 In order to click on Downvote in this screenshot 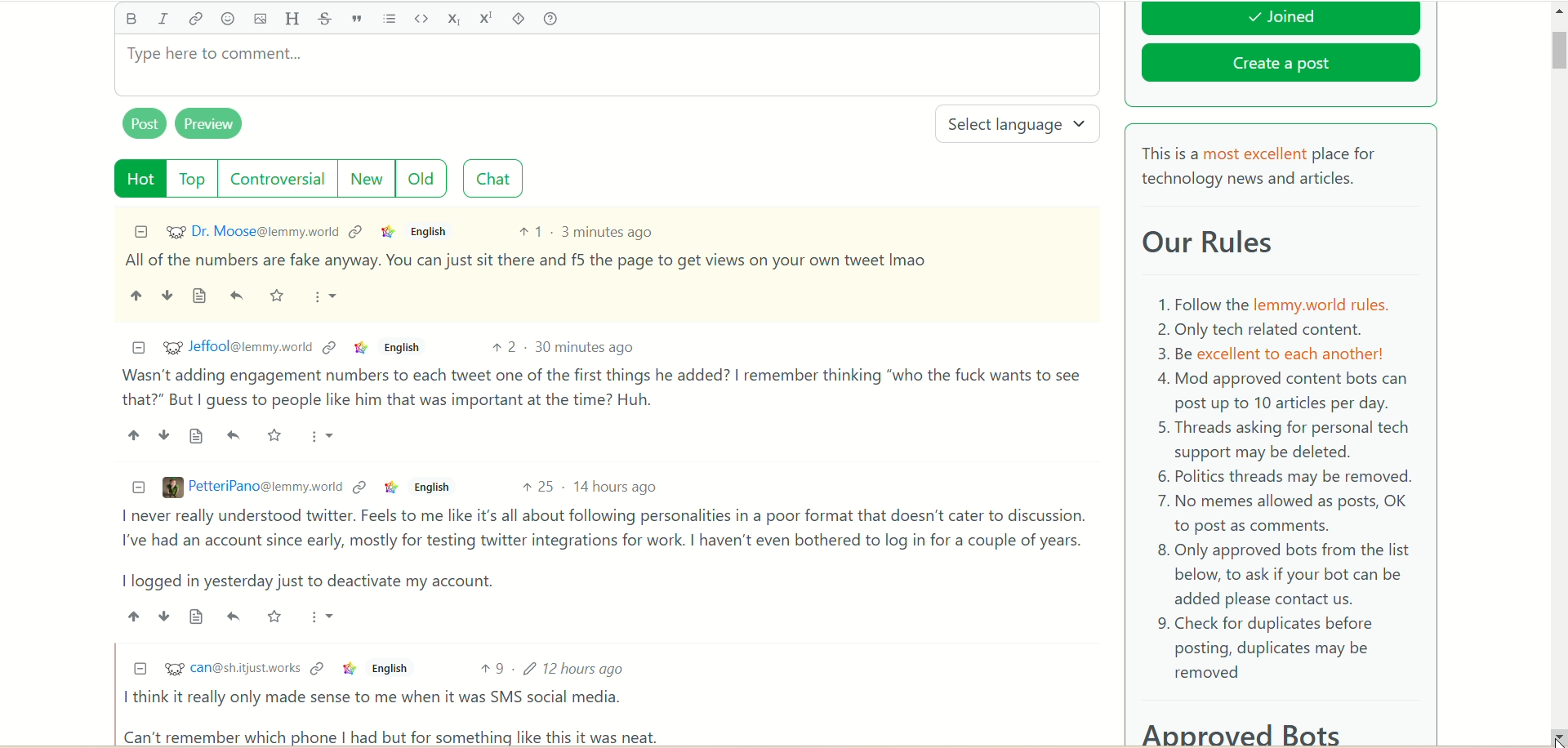, I will do `click(166, 294)`.